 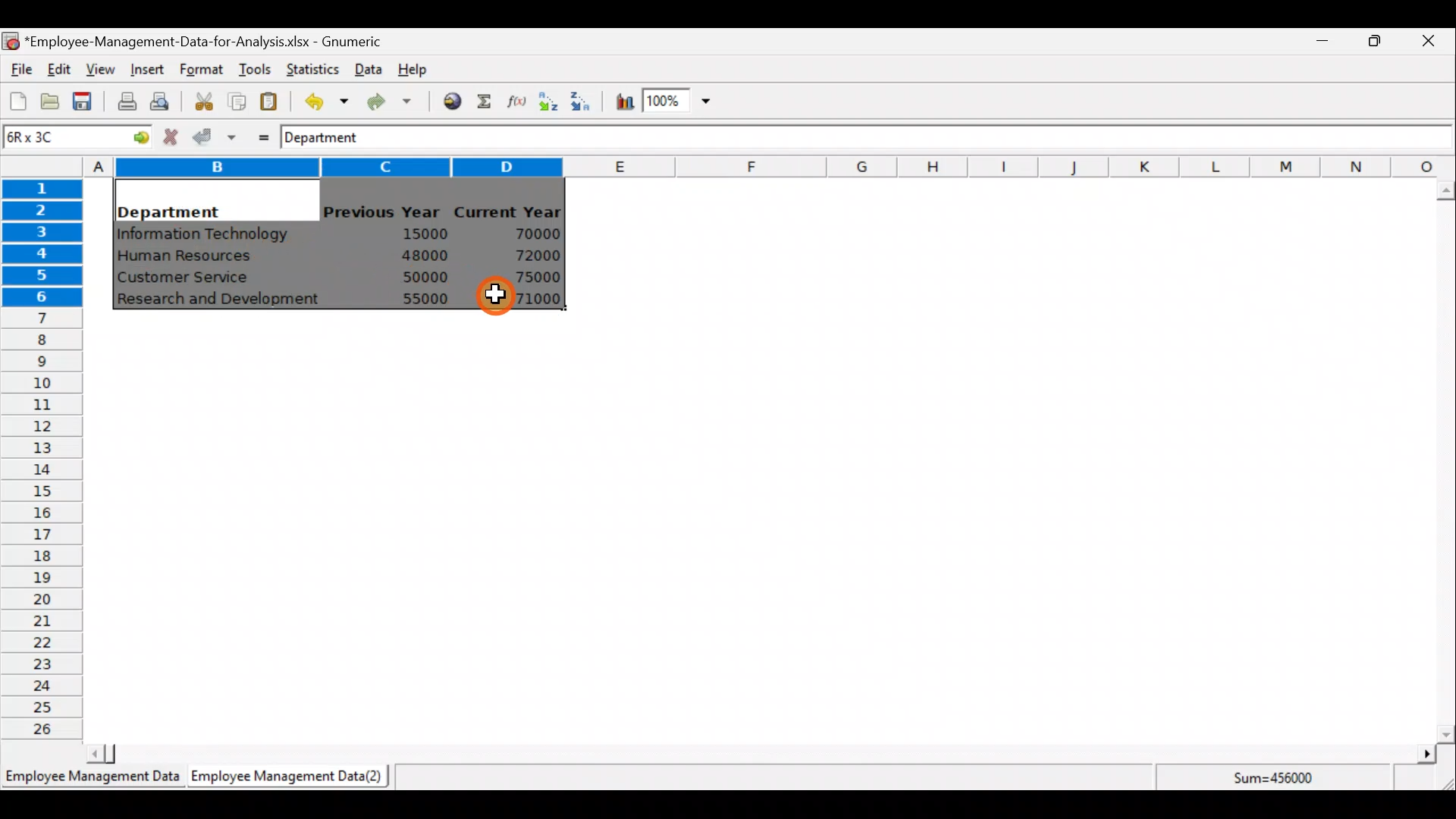 What do you see at coordinates (91, 781) in the screenshot?
I see `Employee Management Data` at bounding box center [91, 781].